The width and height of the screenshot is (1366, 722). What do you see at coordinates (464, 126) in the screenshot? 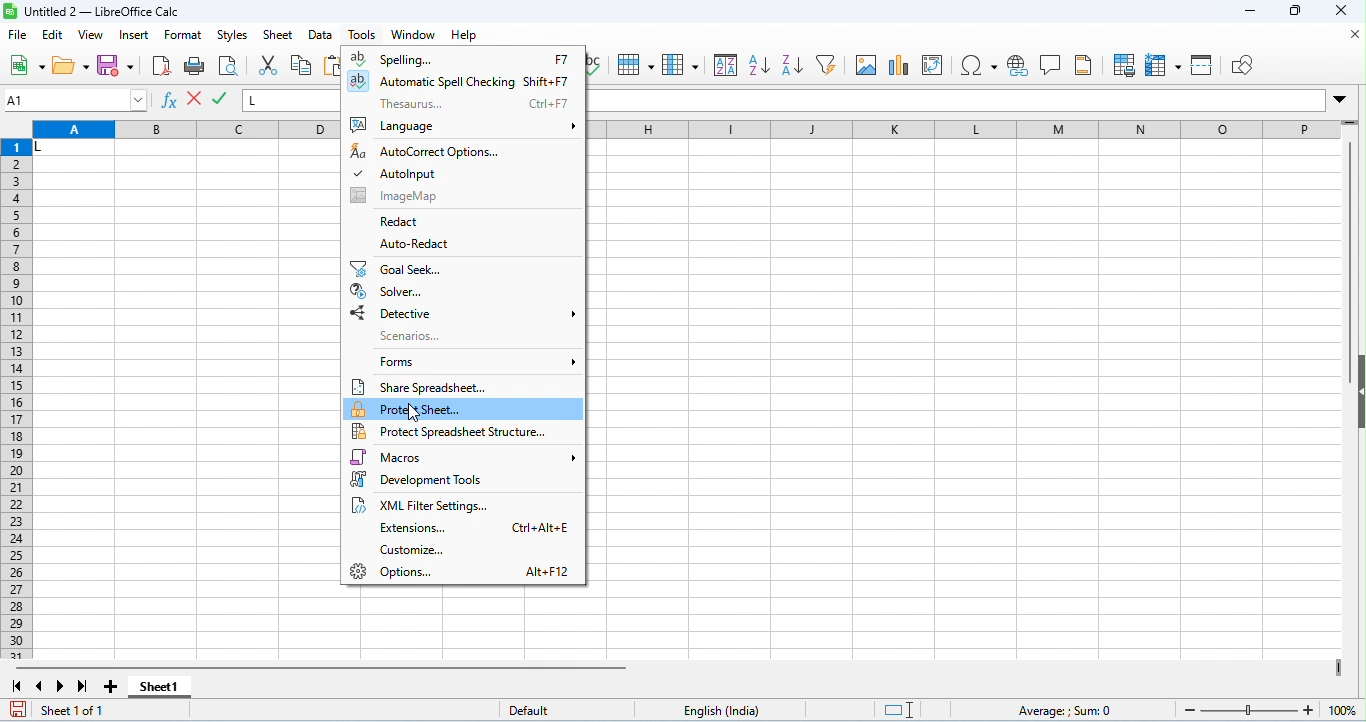
I see `language` at bounding box center [464, 126].